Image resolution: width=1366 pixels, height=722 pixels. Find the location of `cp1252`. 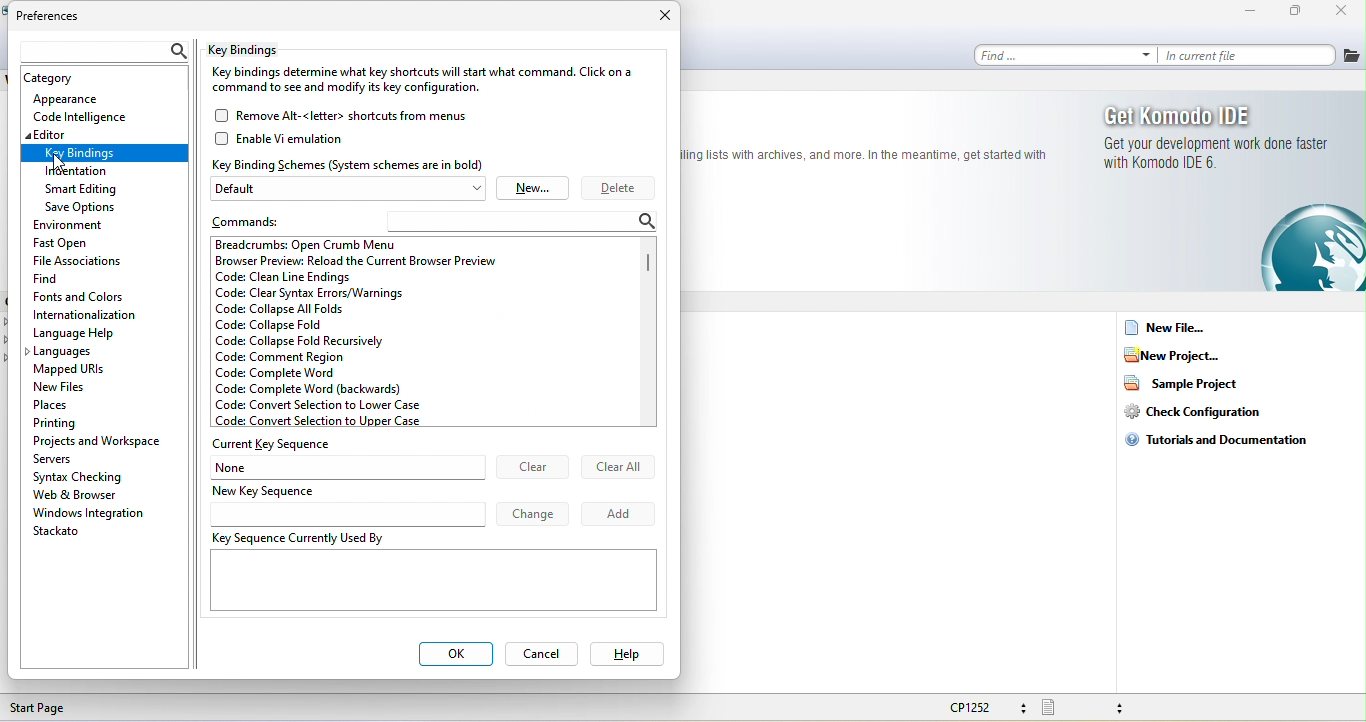

cp1252 is located at coordinates (984, 707).